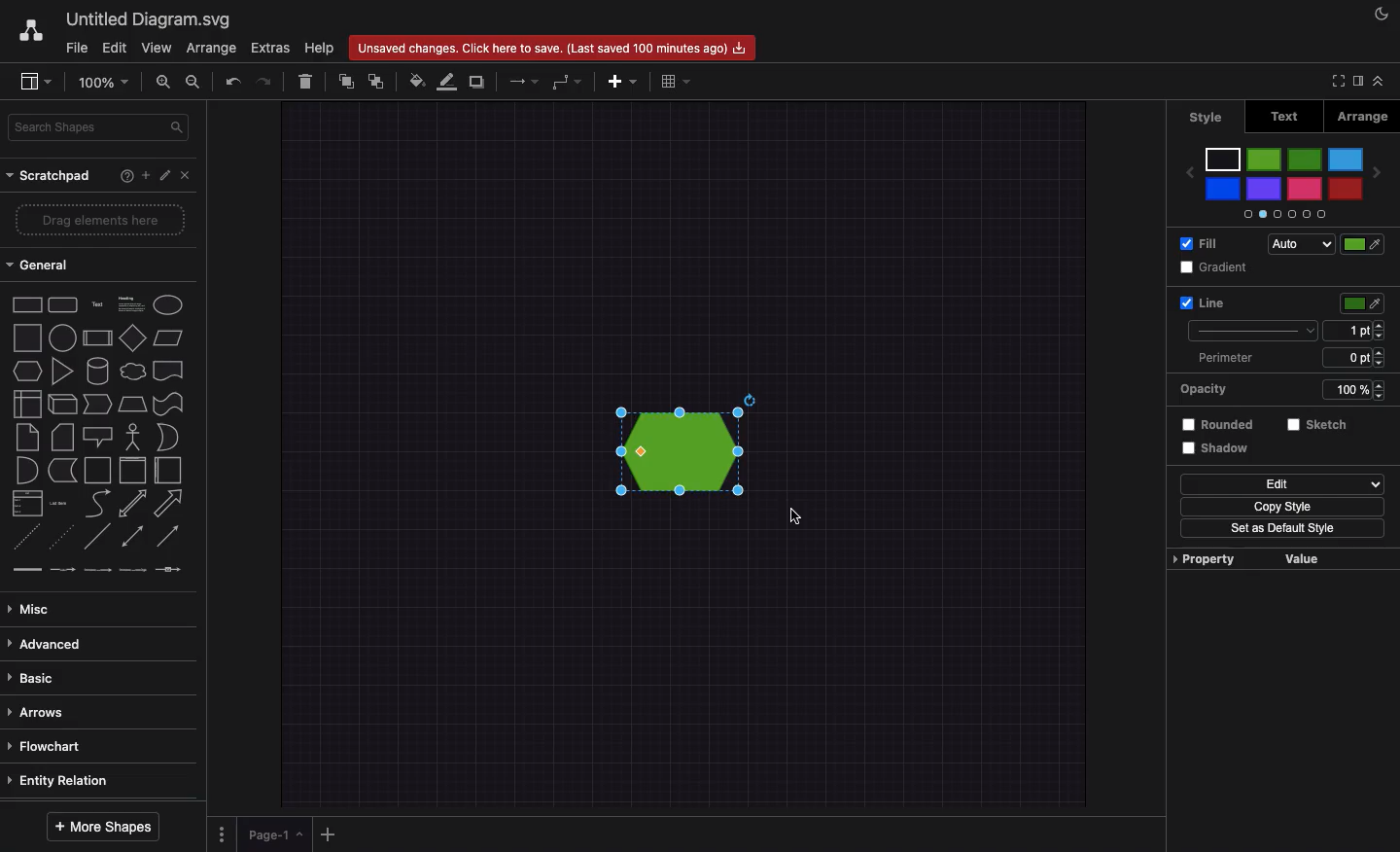  Describe the element at coordinates (309, 83) in the screenshot. I see `Delete` at that location.